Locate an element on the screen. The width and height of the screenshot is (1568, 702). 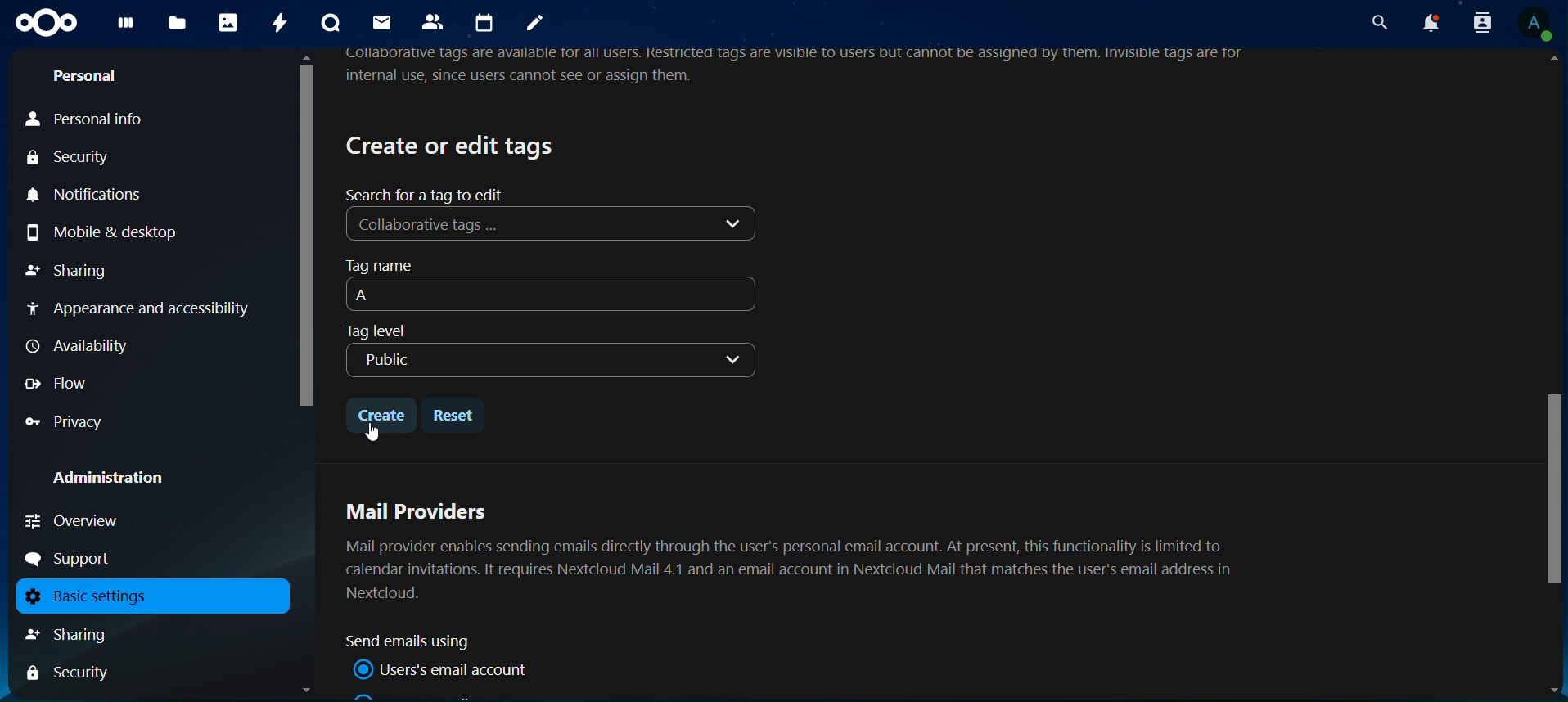
mobile & desktop is located at coordinates (125, 231).